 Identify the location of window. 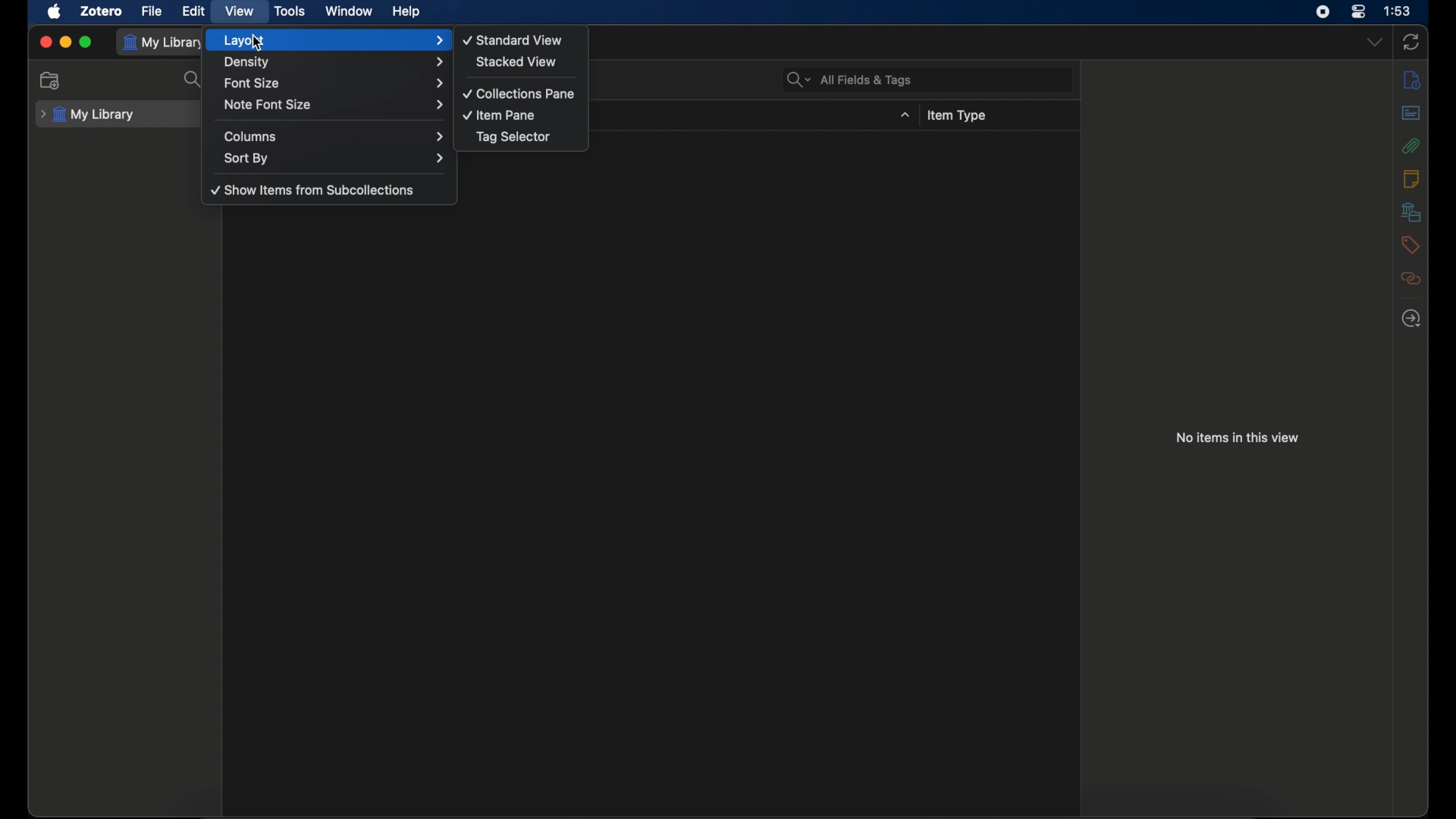
(347, 11).